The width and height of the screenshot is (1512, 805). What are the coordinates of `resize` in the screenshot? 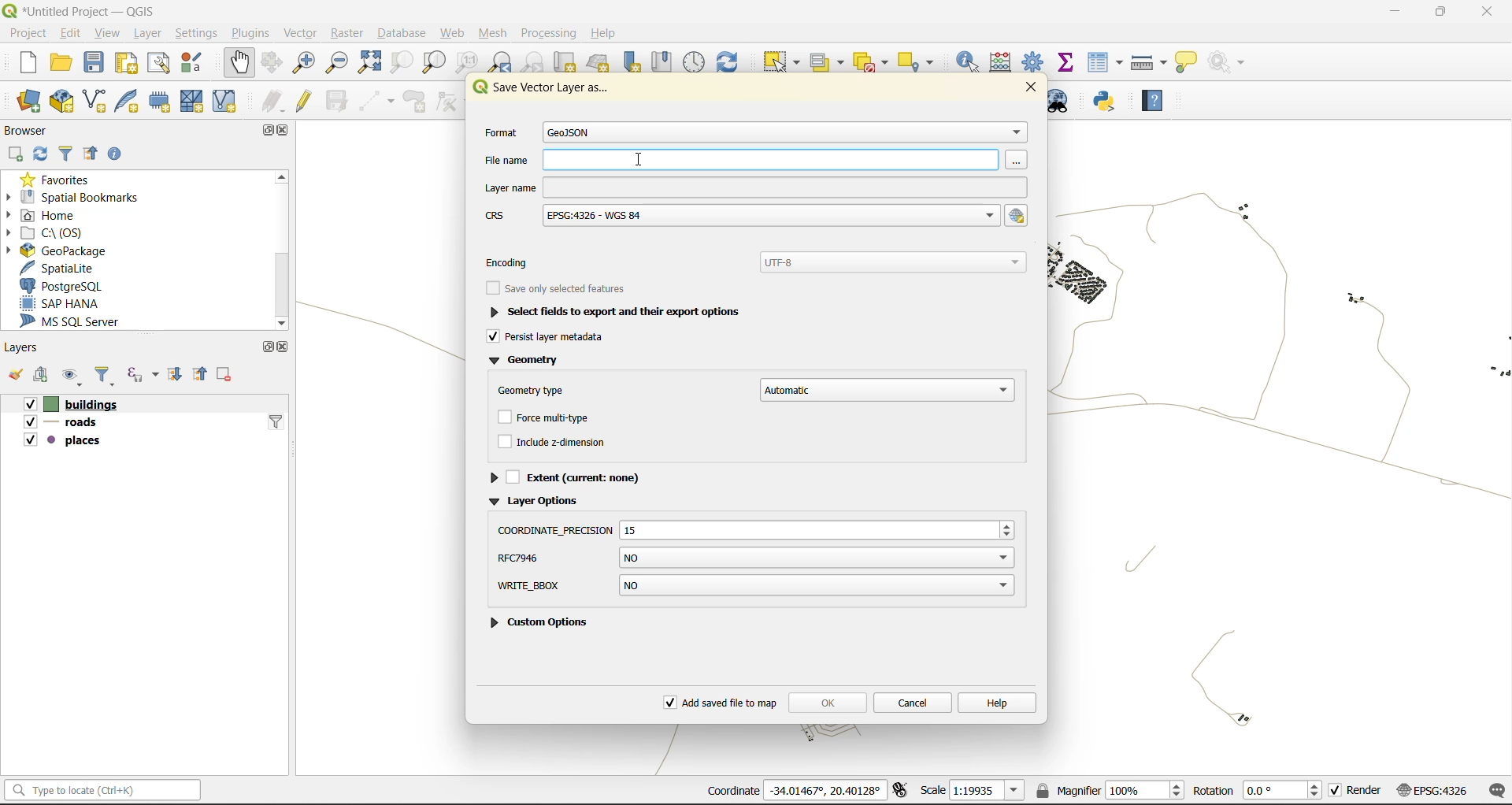 It's located at (755, 526).